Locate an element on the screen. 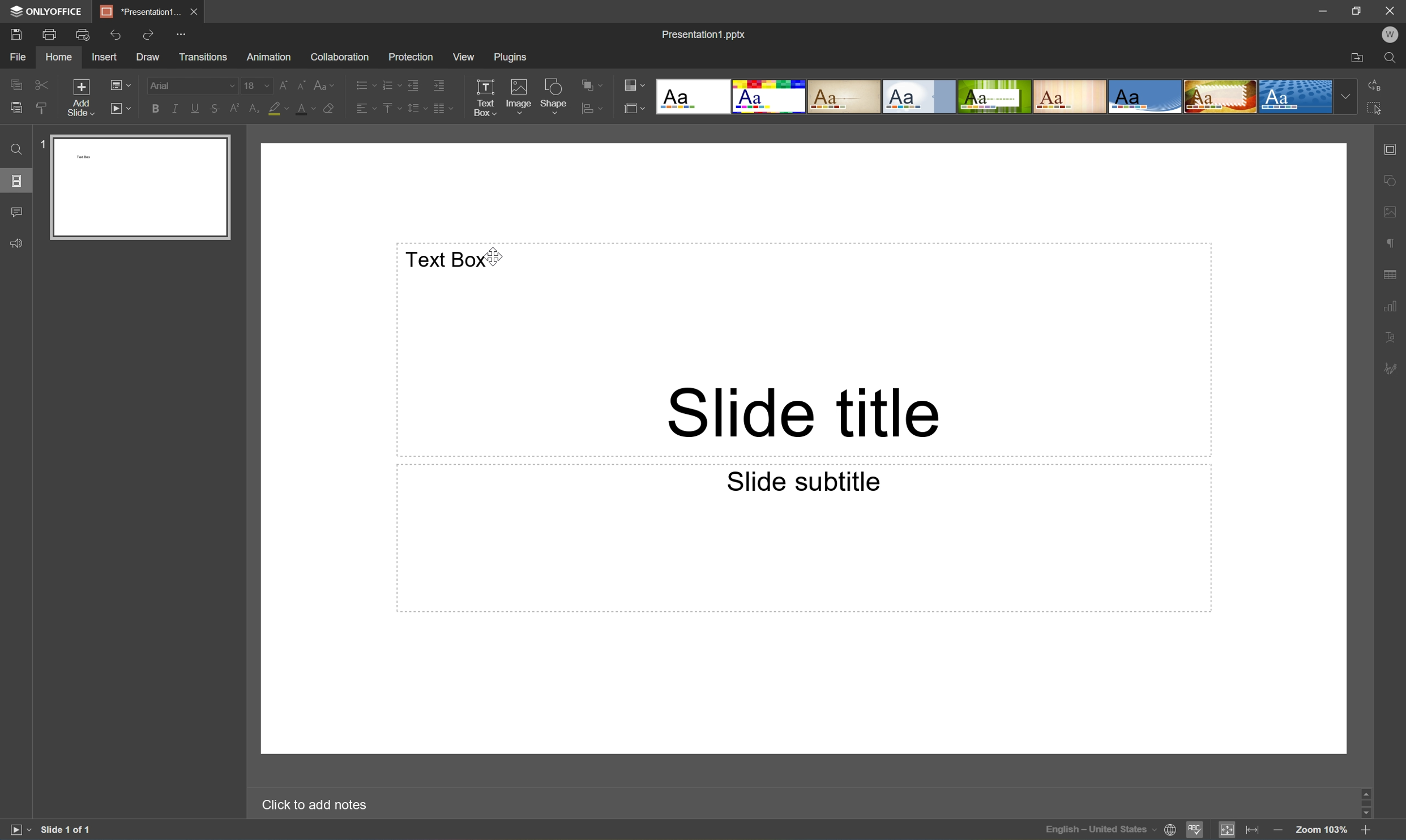 The height and width of the screenshot is (840, 1406). Fit to width is located at coordinates (1253, 829).